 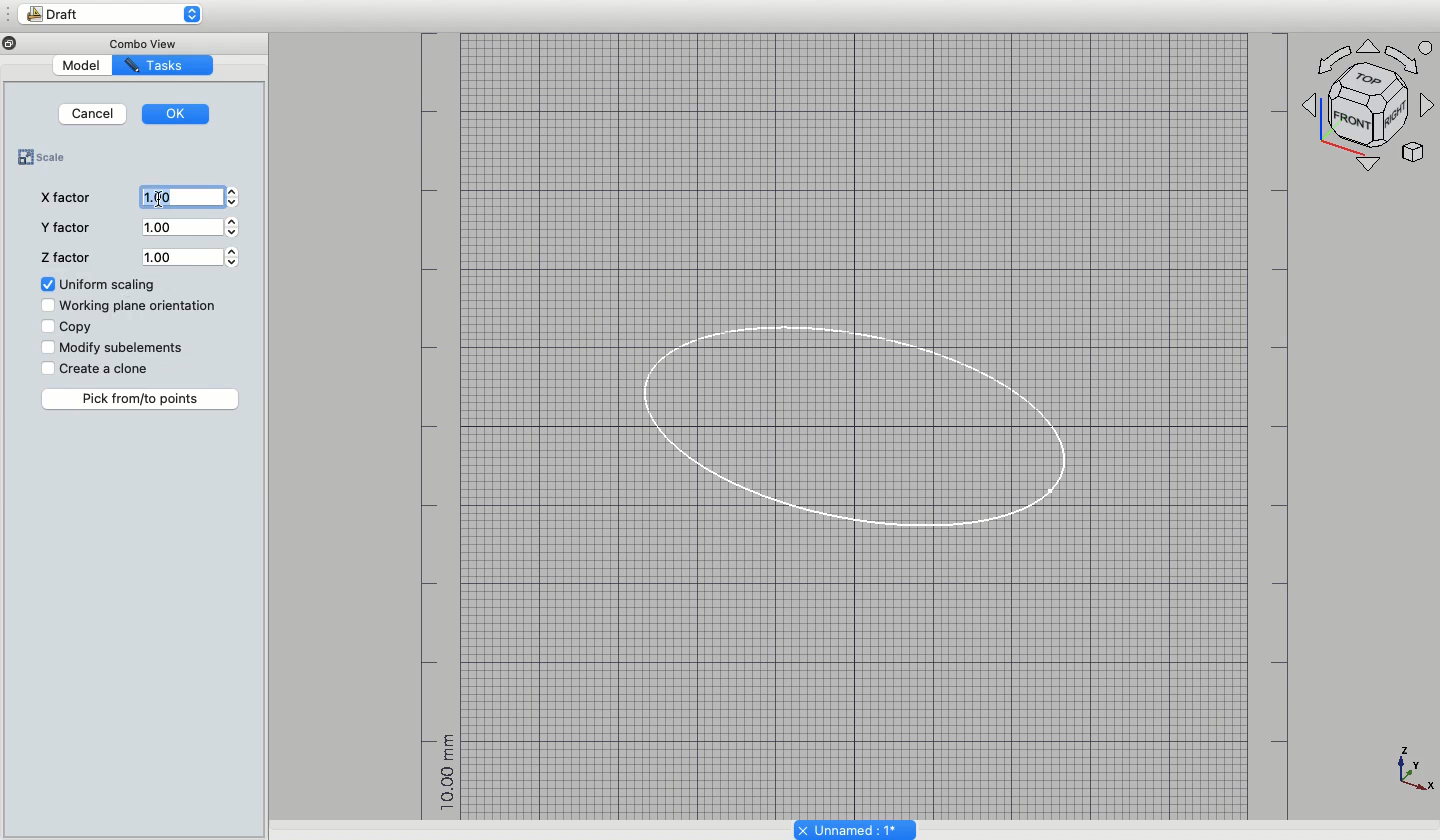 I want to click on 1.00, so click(x=192, y=227).